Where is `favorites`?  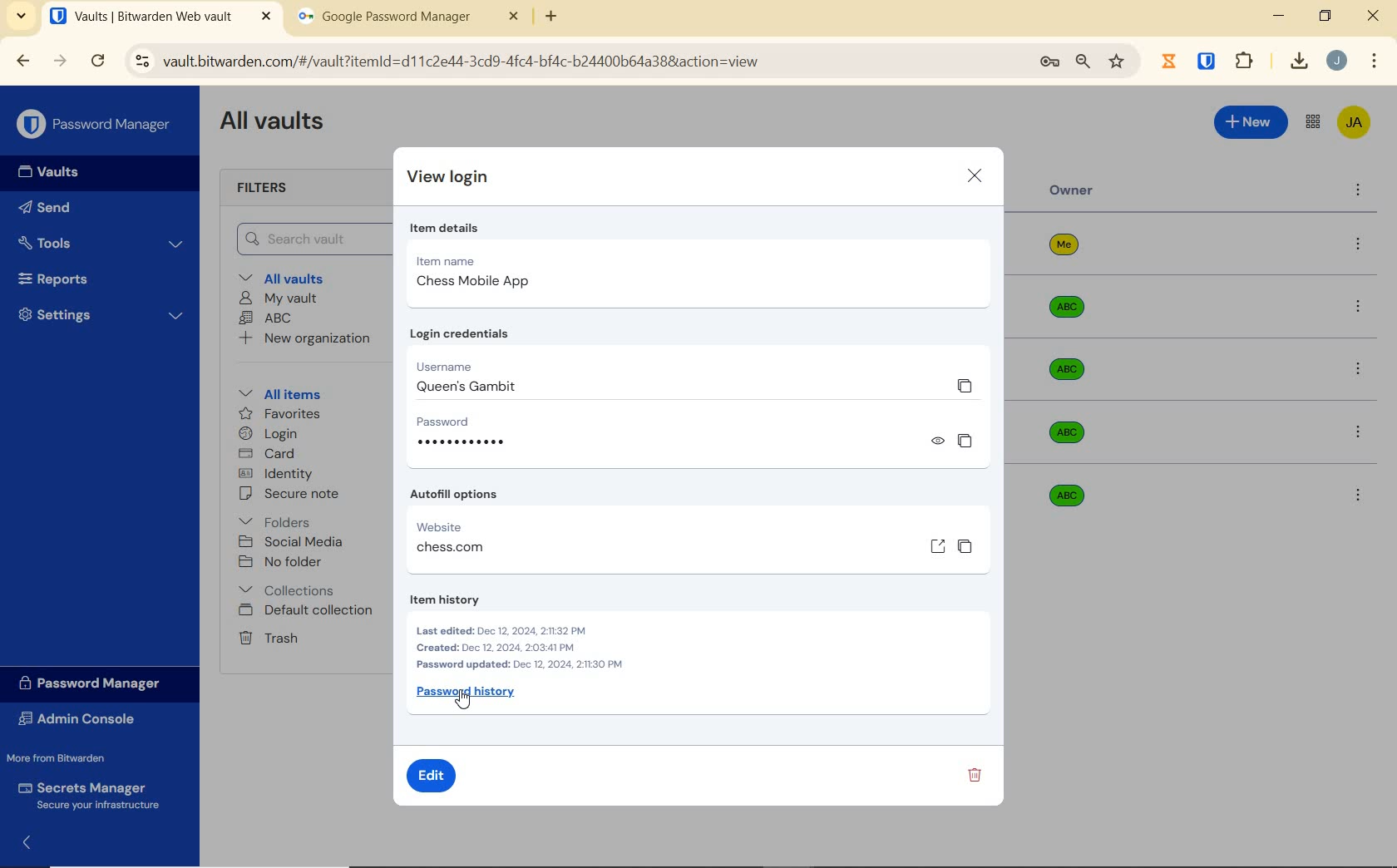 favorites is located at coordinates (282, 413).